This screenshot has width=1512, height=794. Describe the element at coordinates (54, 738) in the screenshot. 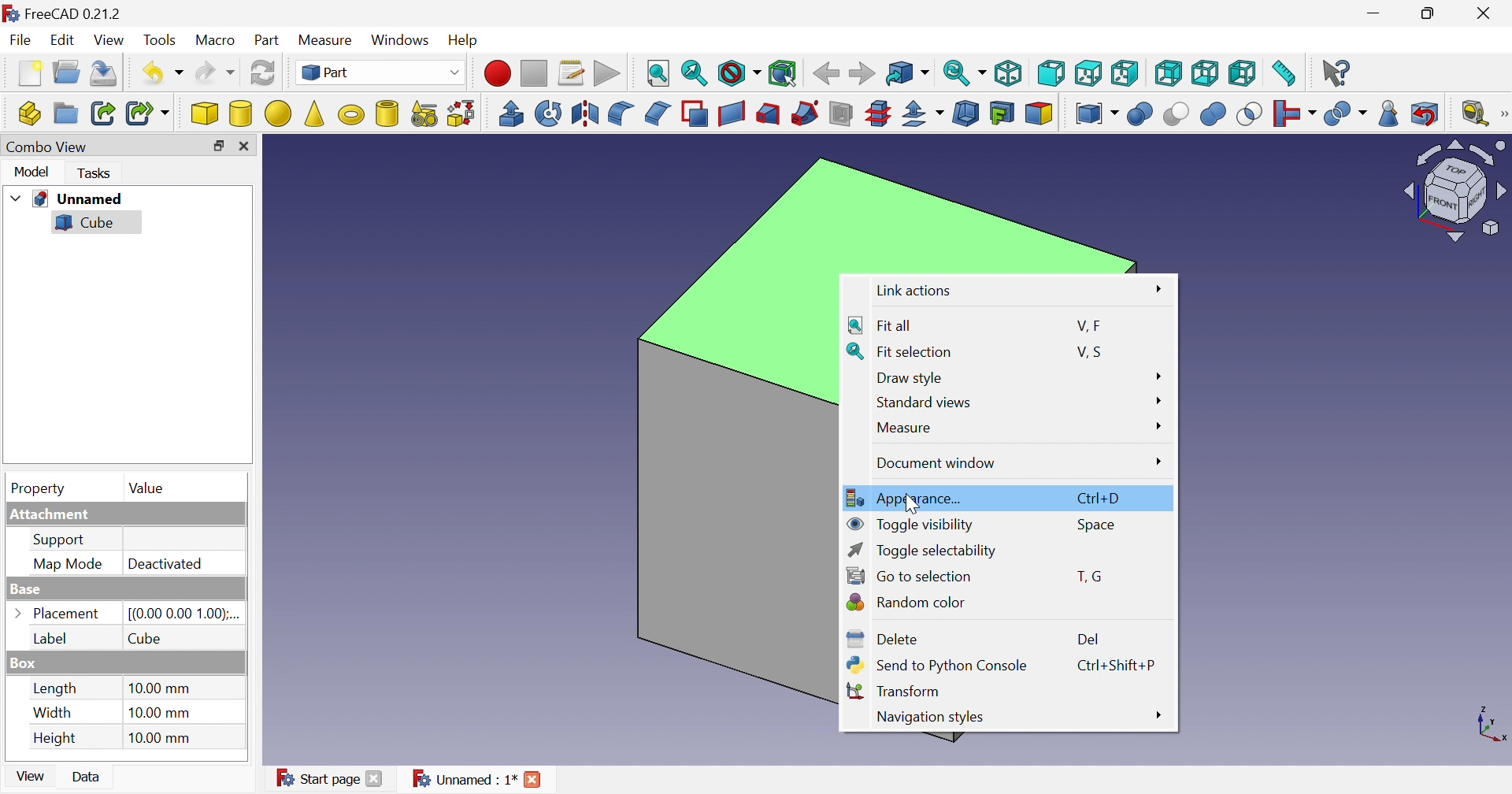

I see `Height` at that location.